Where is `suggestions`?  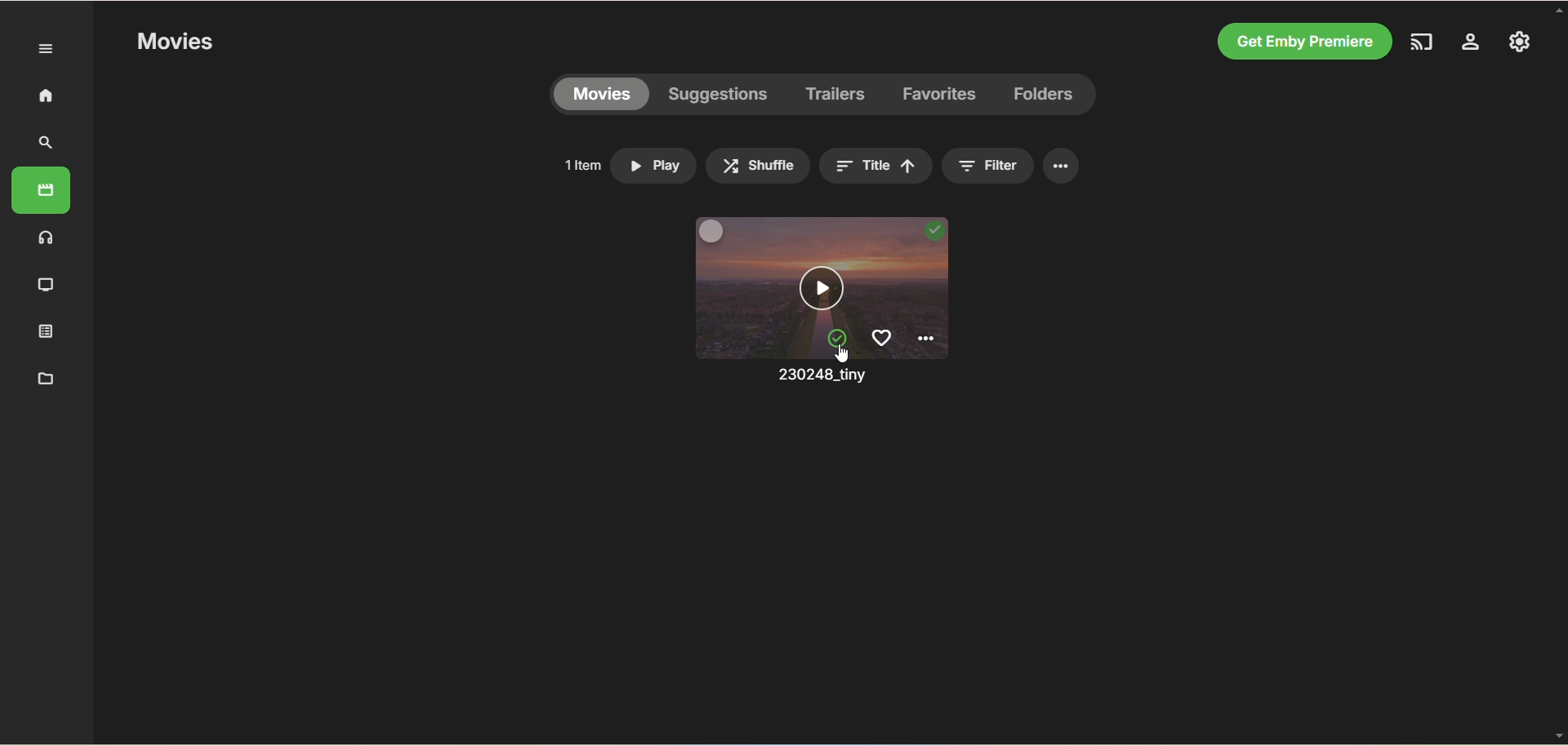
suggestions is located at coordinates (719, 96).